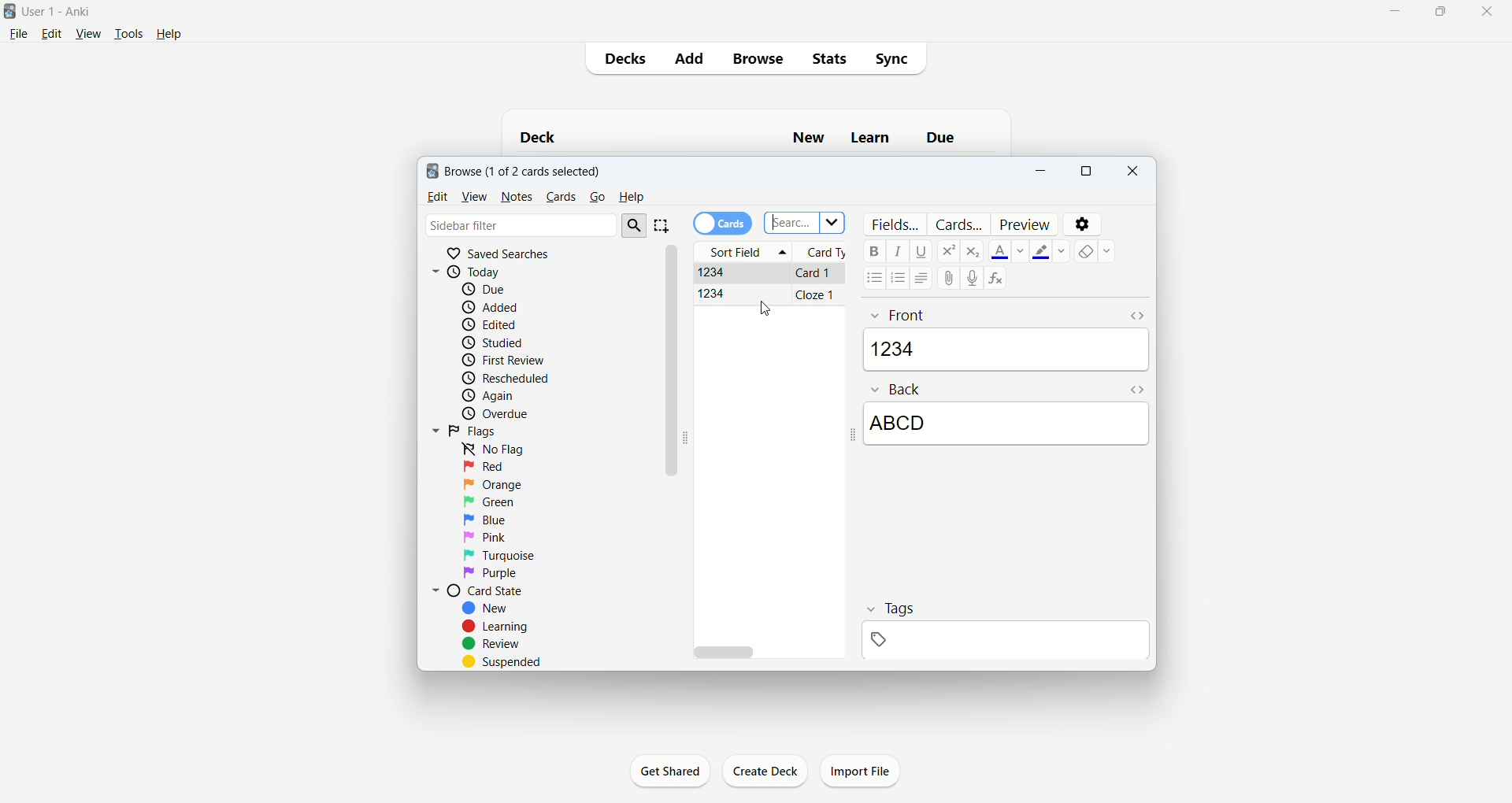  I want to click on search, so click(639, 226).